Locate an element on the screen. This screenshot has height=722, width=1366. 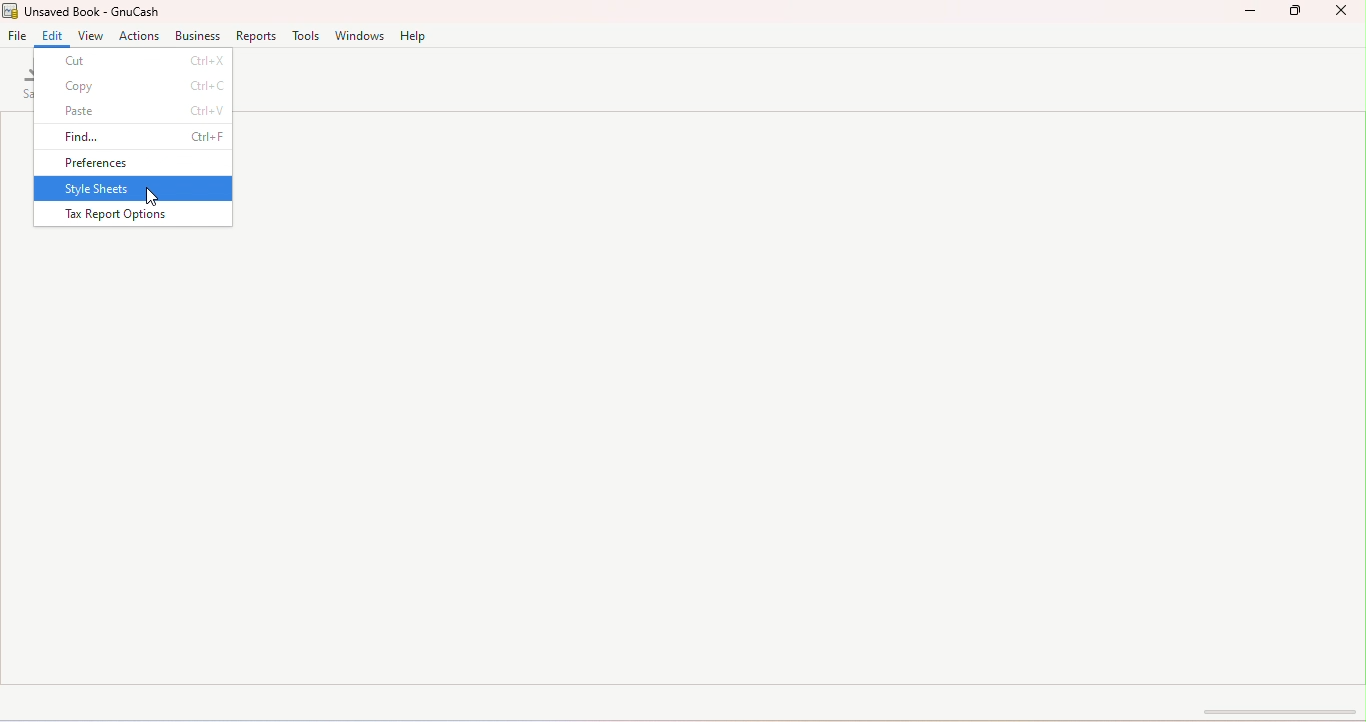
Edit is located at coordinates (51, 38).